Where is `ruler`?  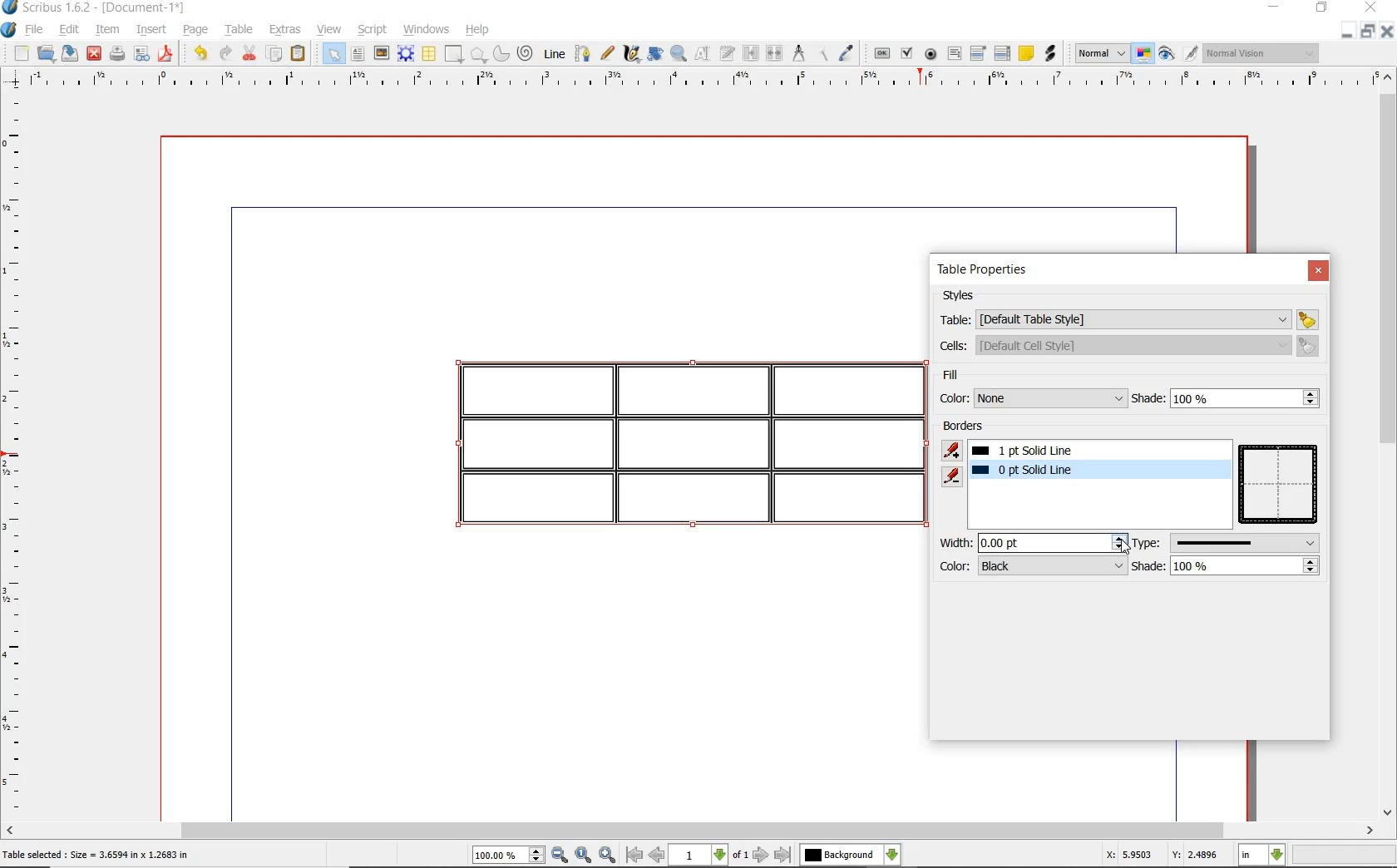 ruler is located at coordinates (17, 454).